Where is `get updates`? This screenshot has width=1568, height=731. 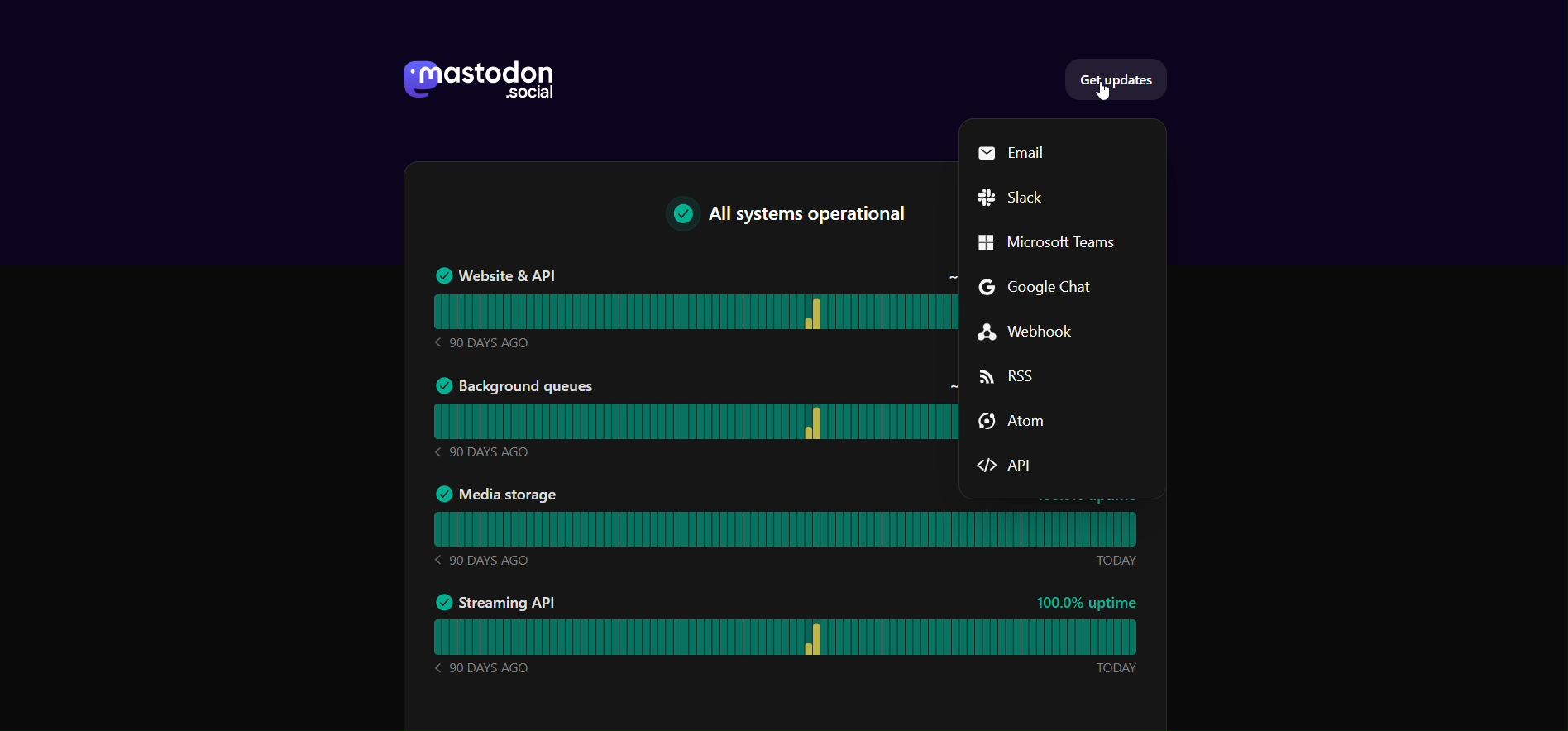 get updates is located at coordinates (1120, 79).